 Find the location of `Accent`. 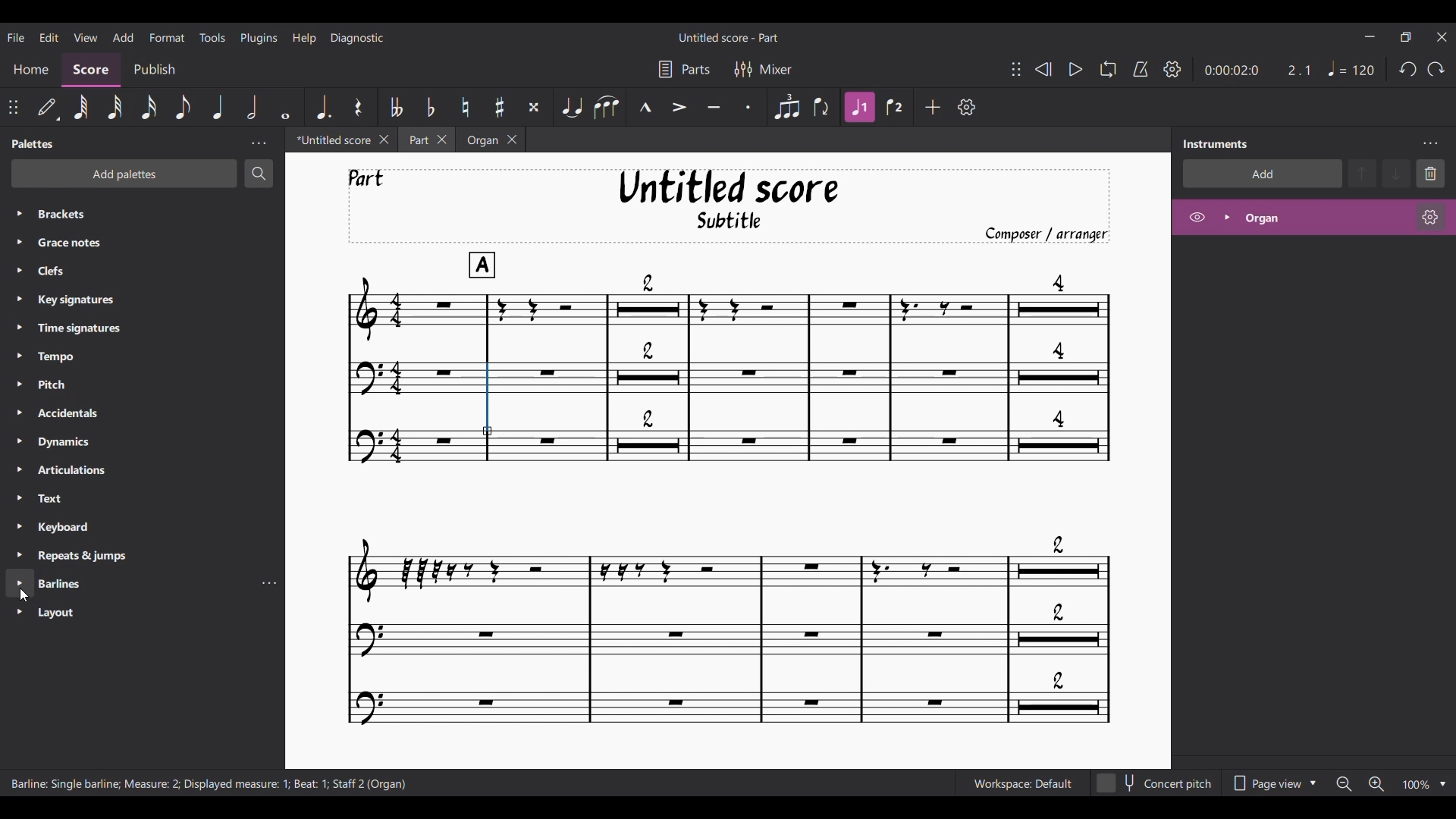

Accent is located at coordinates (679, 107).